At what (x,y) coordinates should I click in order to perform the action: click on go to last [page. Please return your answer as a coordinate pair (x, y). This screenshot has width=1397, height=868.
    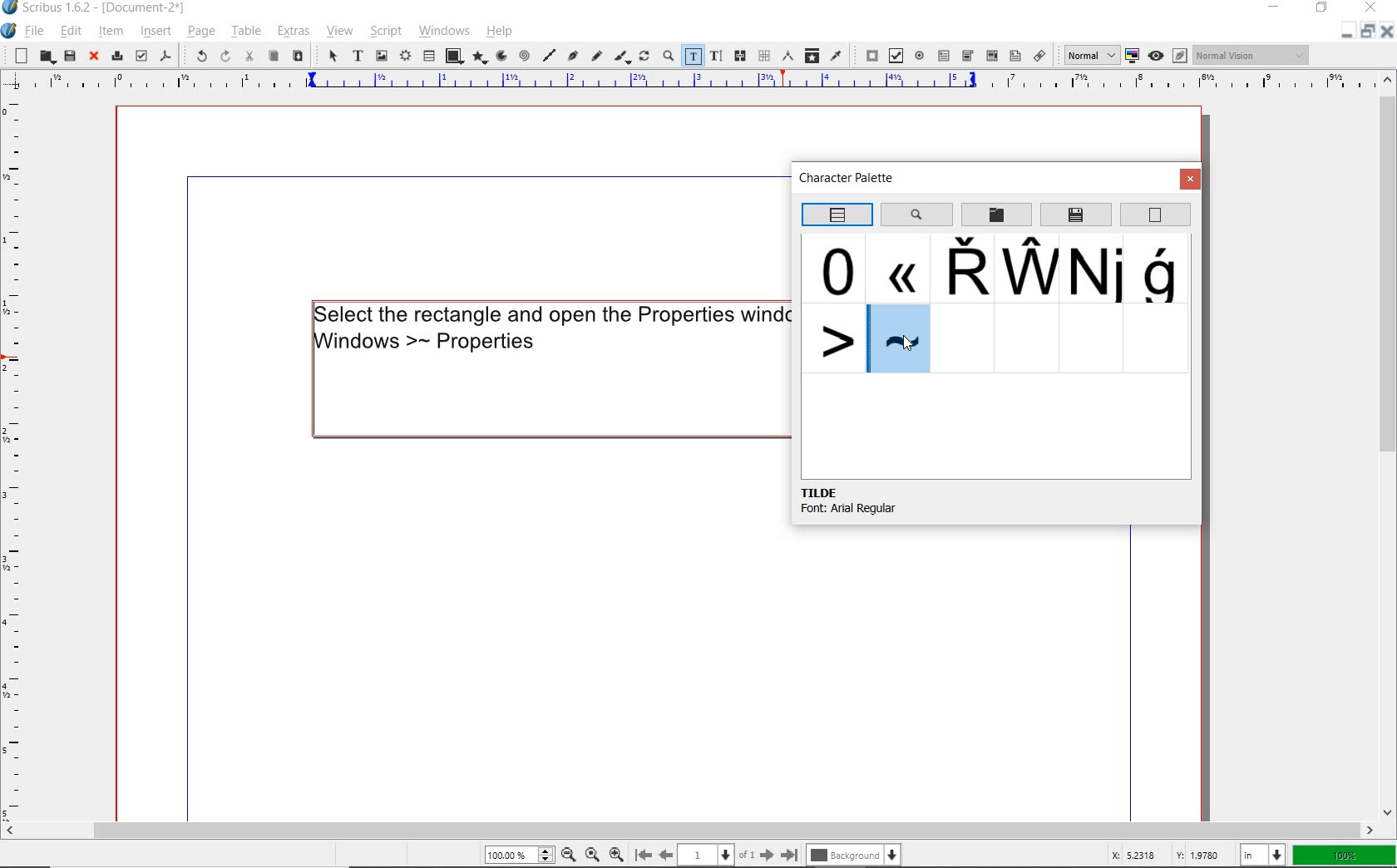
    Looking at the image, I should click on (789, 854).